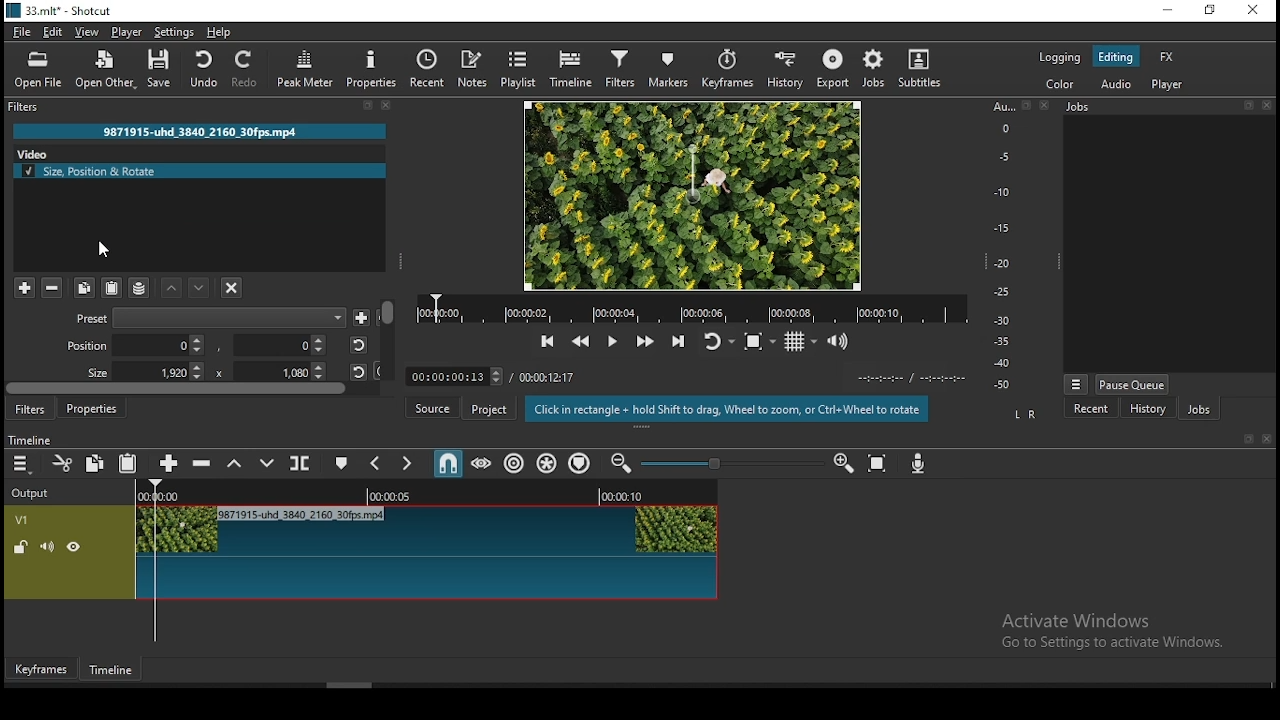  Describe the element at coordinates (359, 345) in the screenshot. I see `reset position` at that location.